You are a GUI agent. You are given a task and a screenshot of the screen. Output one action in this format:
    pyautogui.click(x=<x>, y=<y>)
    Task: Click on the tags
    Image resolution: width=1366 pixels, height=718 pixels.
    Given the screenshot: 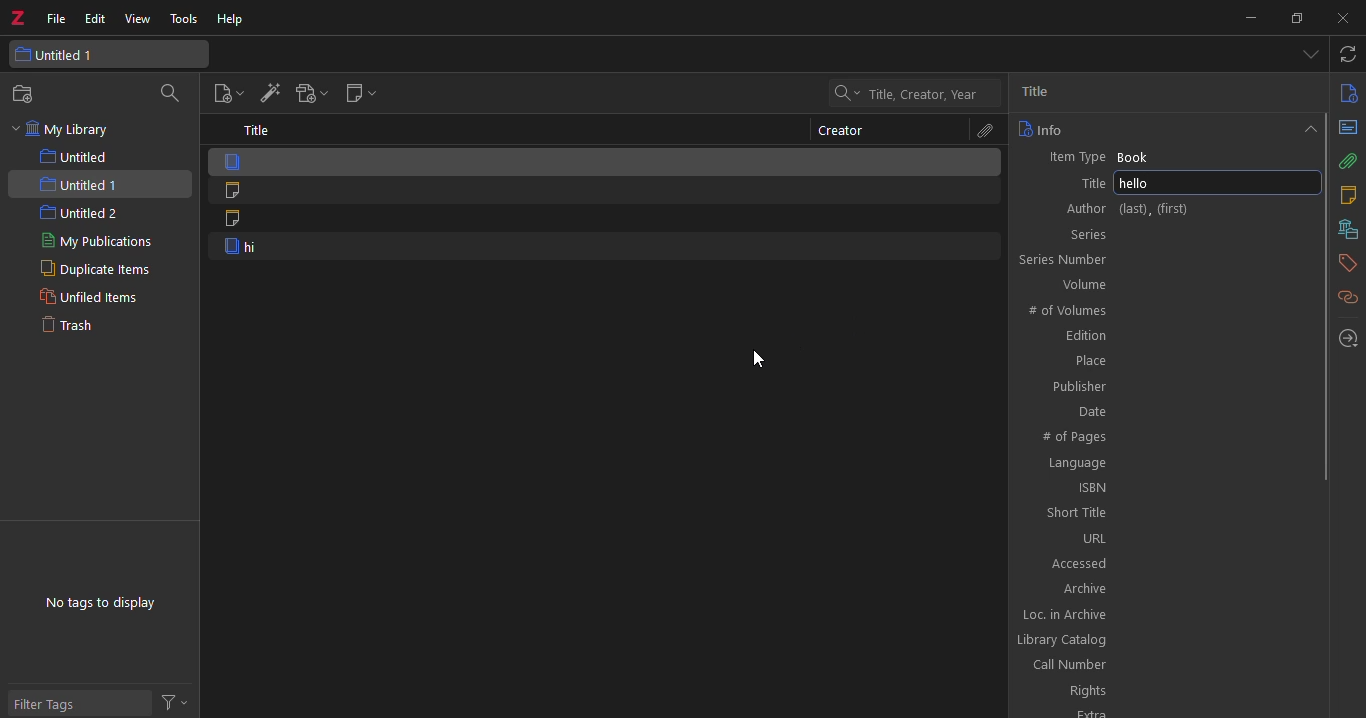 What is the action you would take?
    pyautogui.click(x=1348, y=261)
    